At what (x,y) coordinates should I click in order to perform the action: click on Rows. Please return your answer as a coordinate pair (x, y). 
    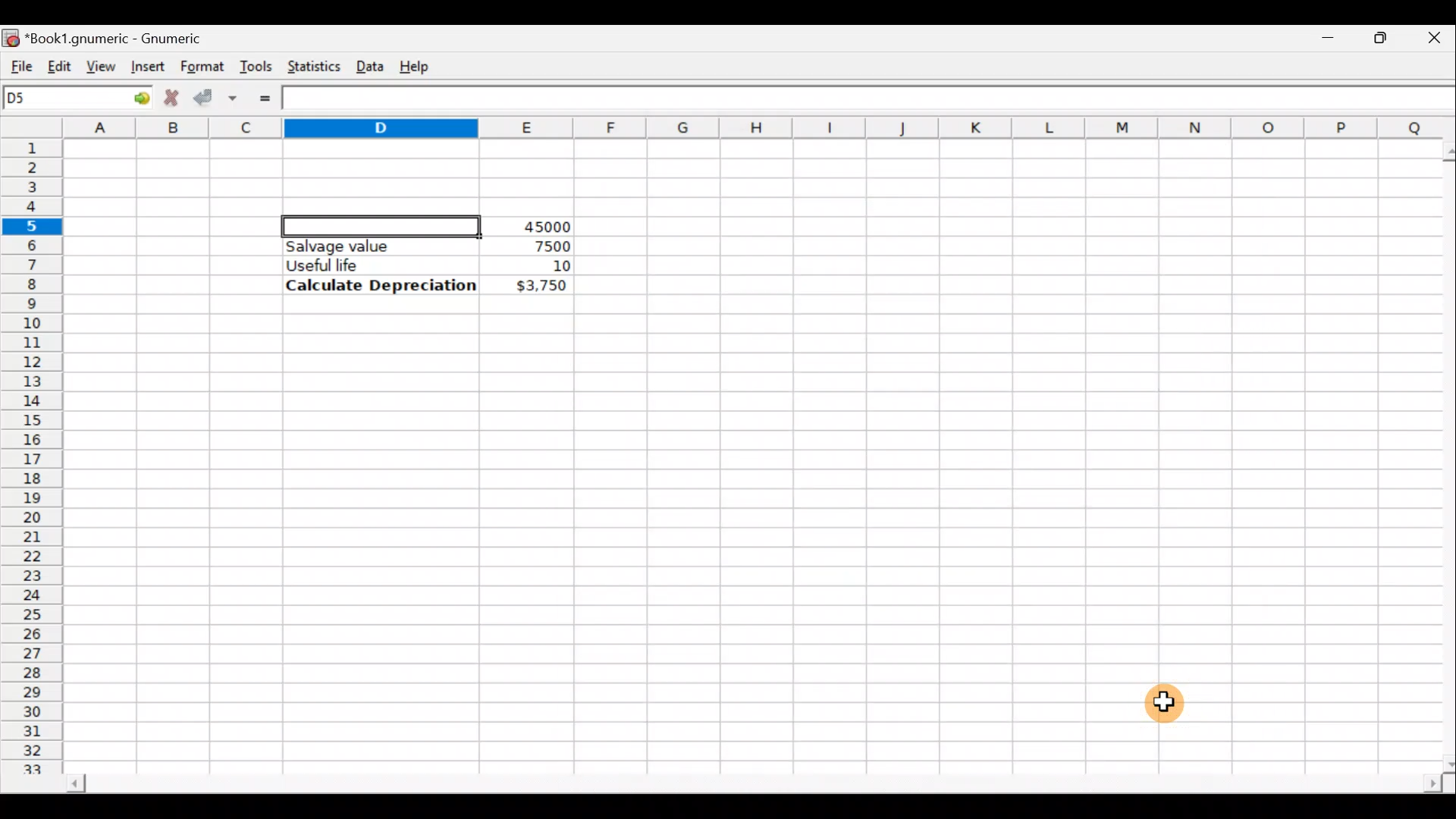
    Looking at the image, I should click on (33, 448).